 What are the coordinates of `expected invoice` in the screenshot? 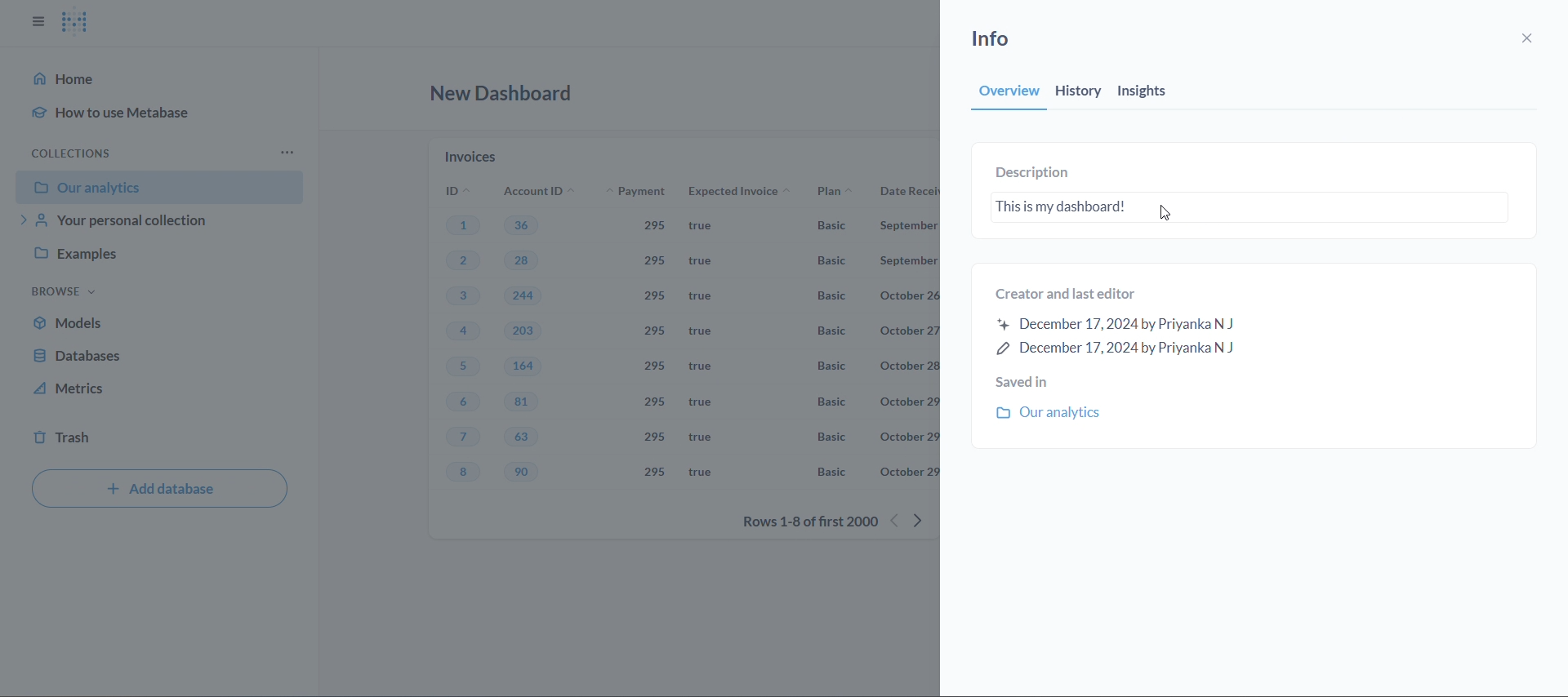 It's located at (742, 191).